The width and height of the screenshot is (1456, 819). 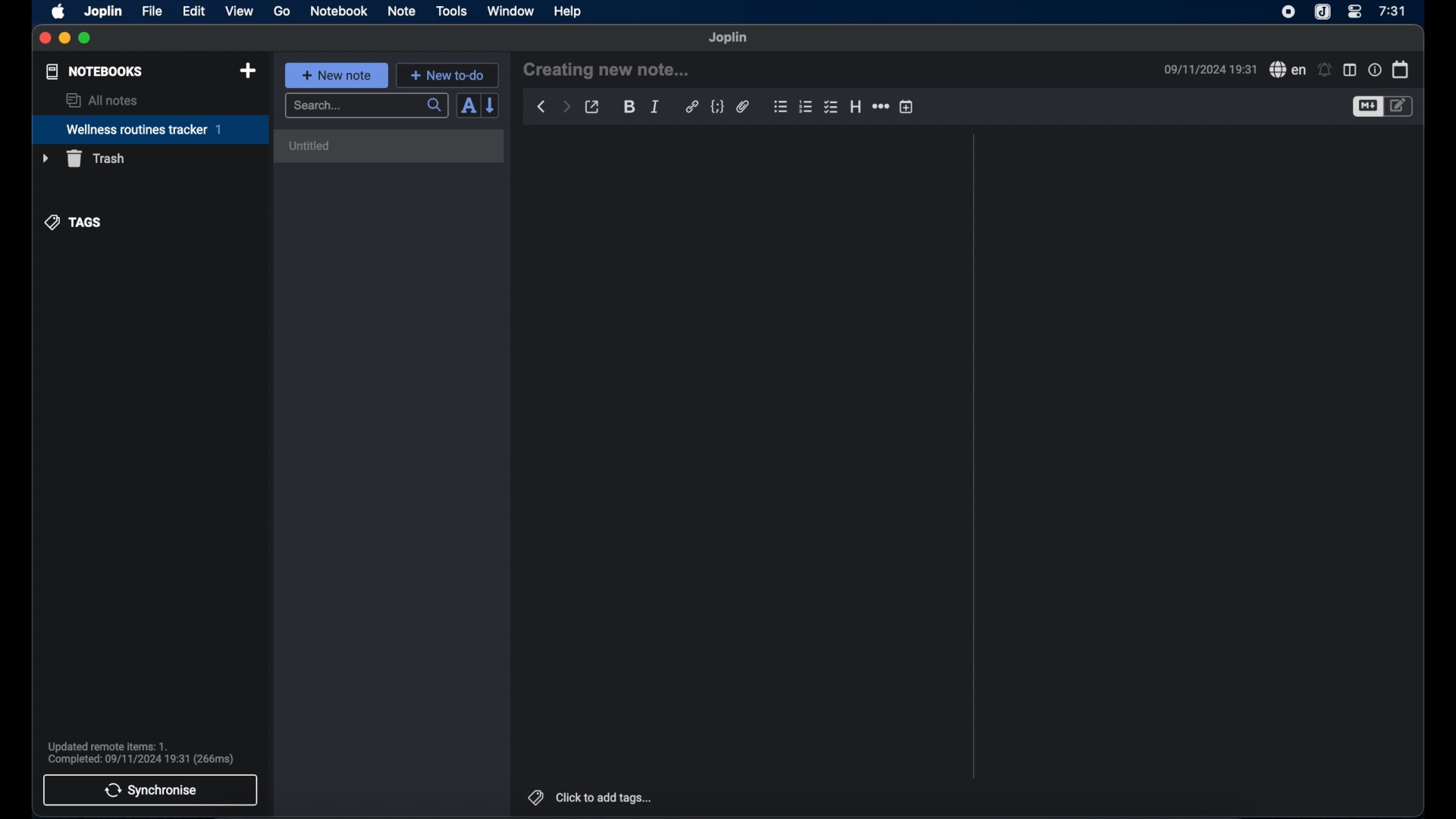 I want to click on all notes, so click(x=101, y=100).